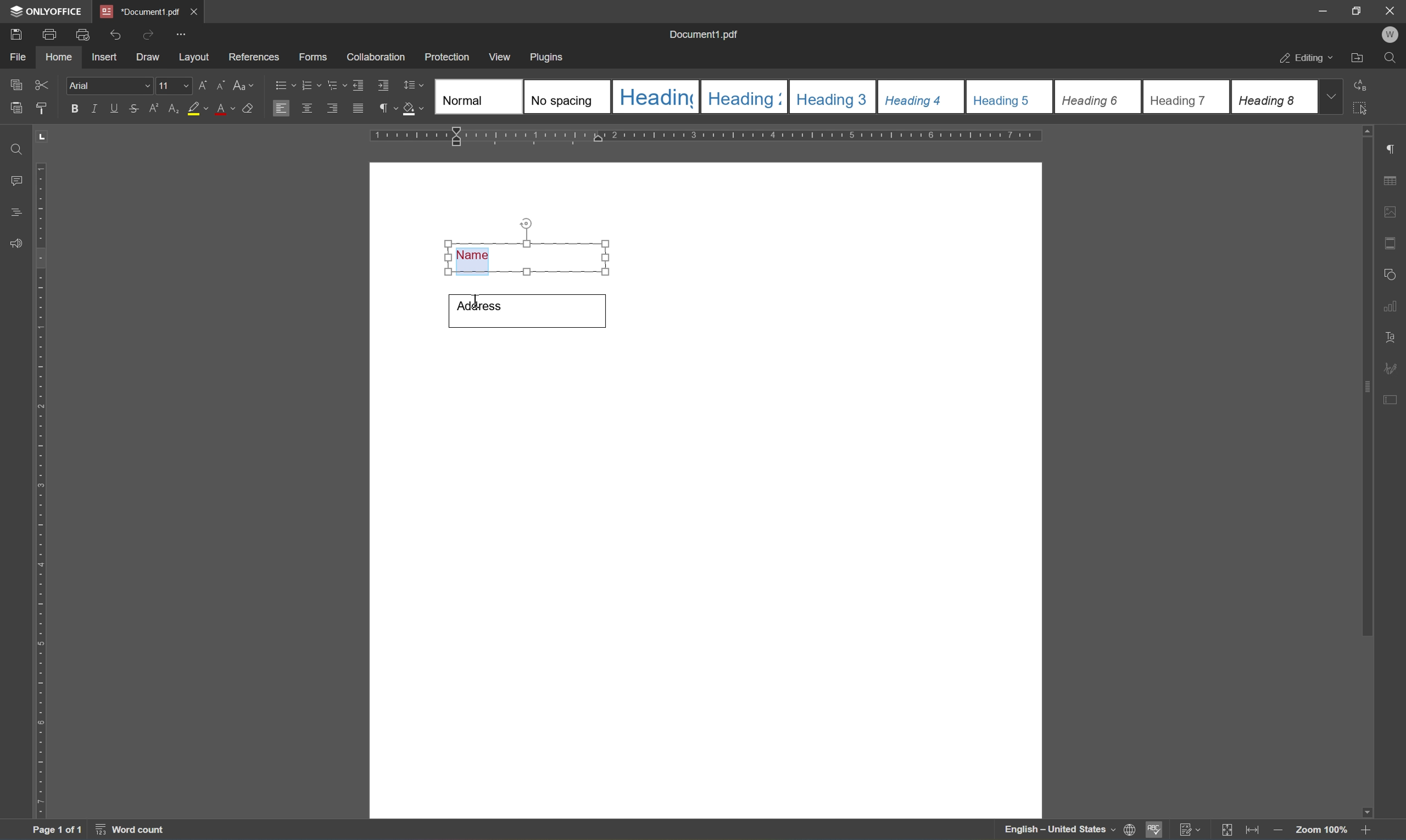 The width and height of the screenshot is (1406, 840). Describe the element at coordinates (1392, 179) in the screenshot. I see `table settings` at that location.